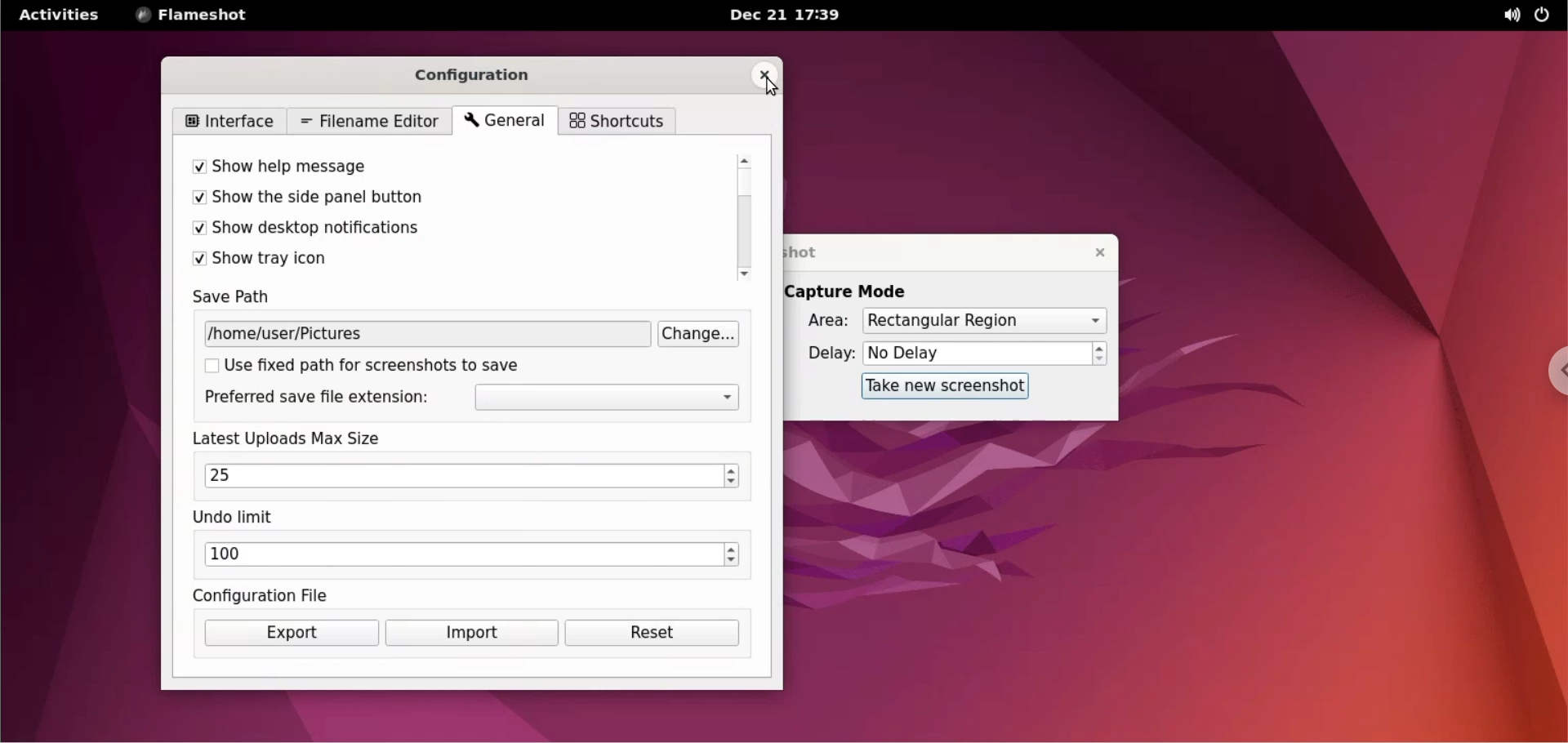 The height and width of the screenshot is (743, 1568). Describe the element at coordinates (765, 75) in the screenshot. I see `close` at that location.